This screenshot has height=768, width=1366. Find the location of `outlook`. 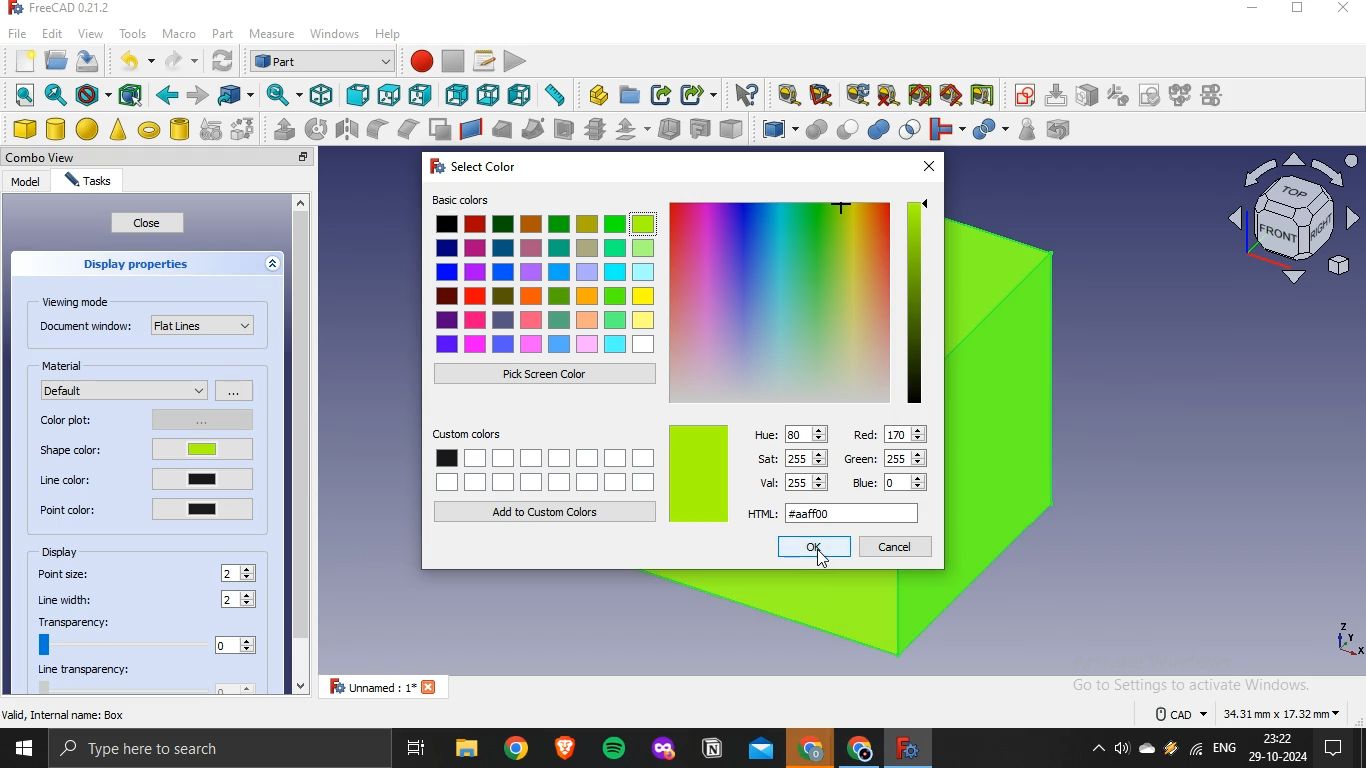

outlook is located at coordinates (762, 751).